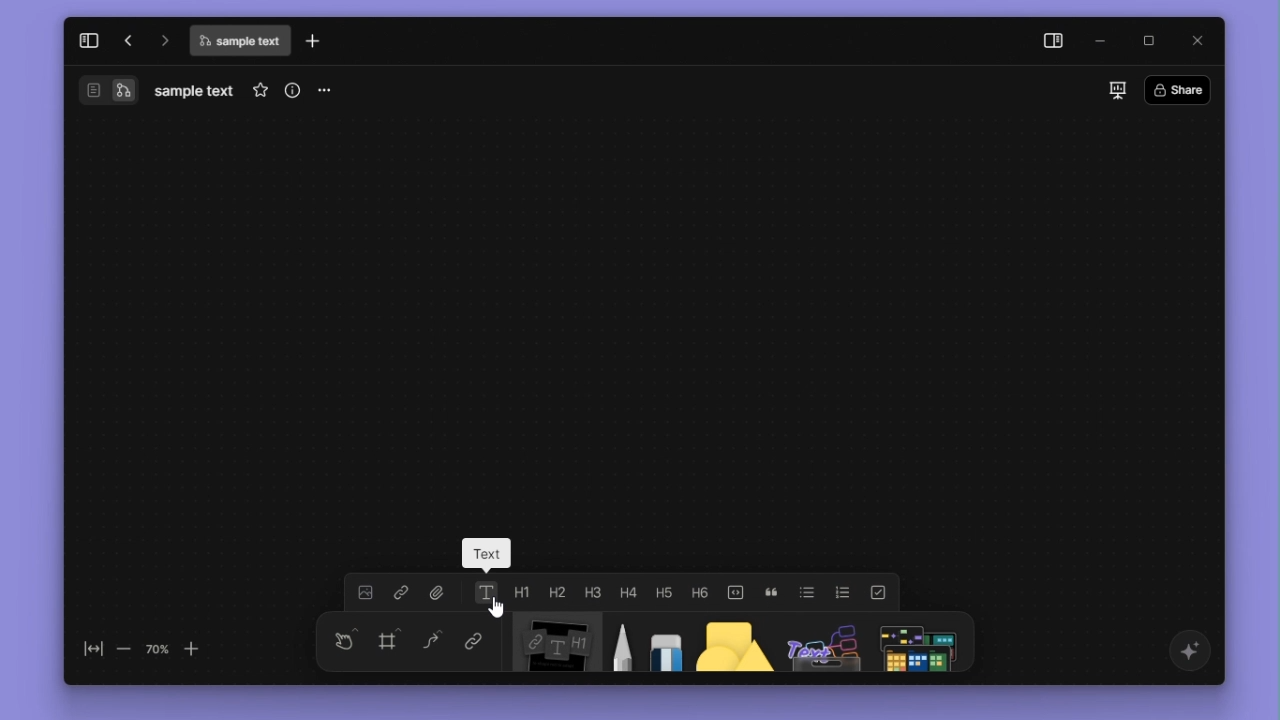  What do you see at coordinates (843, 591) in the screenshot?
I see `numbered list` at bounding box center [843, 591].